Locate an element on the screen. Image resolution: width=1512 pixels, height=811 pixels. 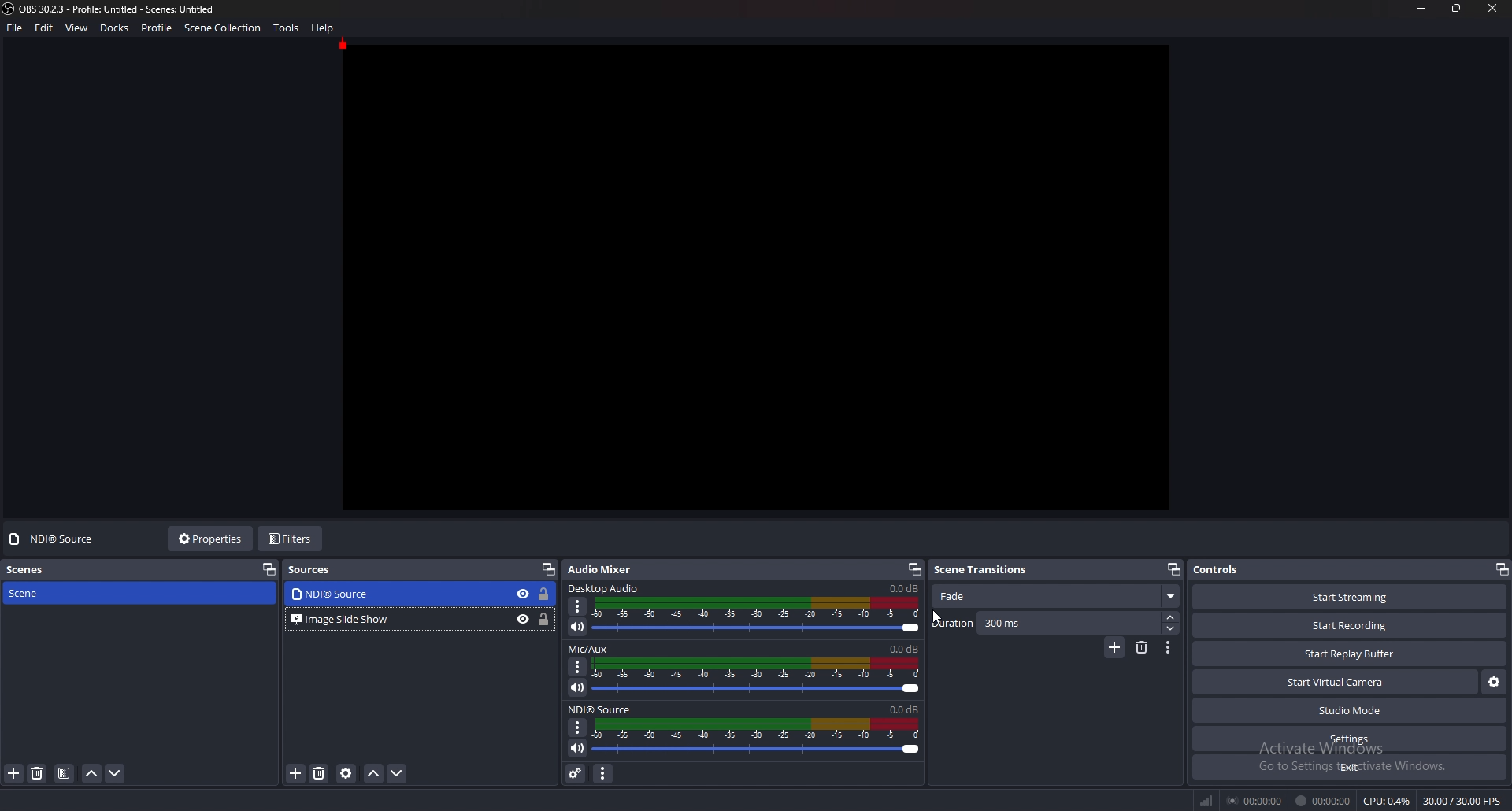
Volume Adjust is located at coordinates (762, 740).